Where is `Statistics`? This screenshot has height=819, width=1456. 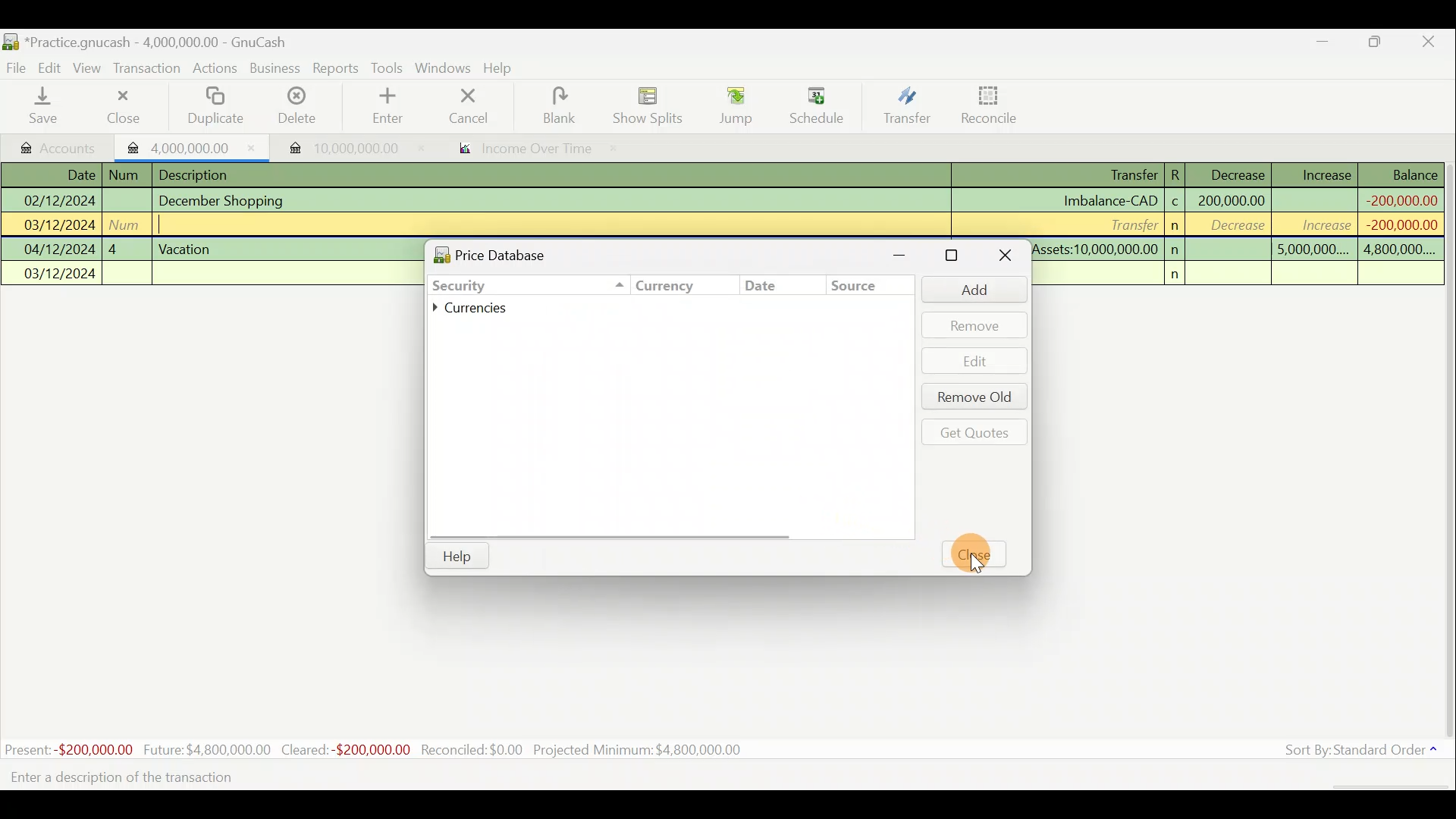 Statistics is located at coordinates (399, 746).